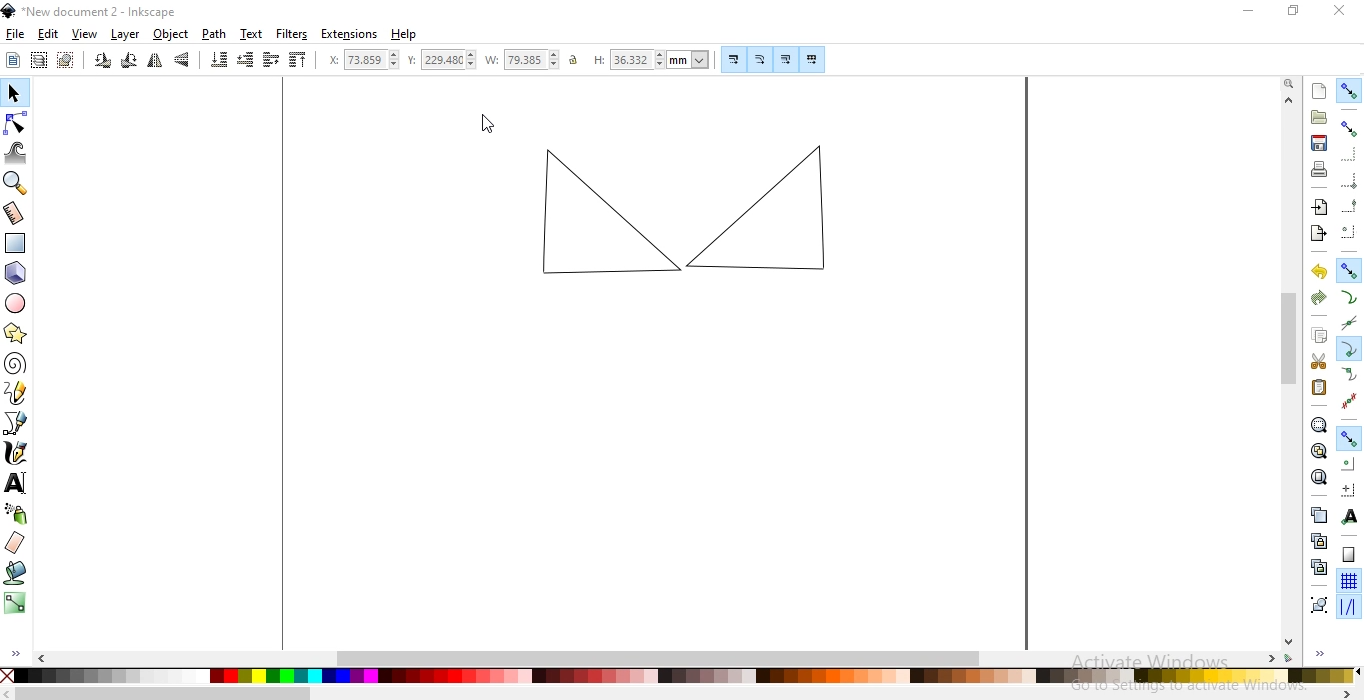 The width and height of the screenshot is (1364, 700). I want to click on group selected objects, so click(1321, 605).